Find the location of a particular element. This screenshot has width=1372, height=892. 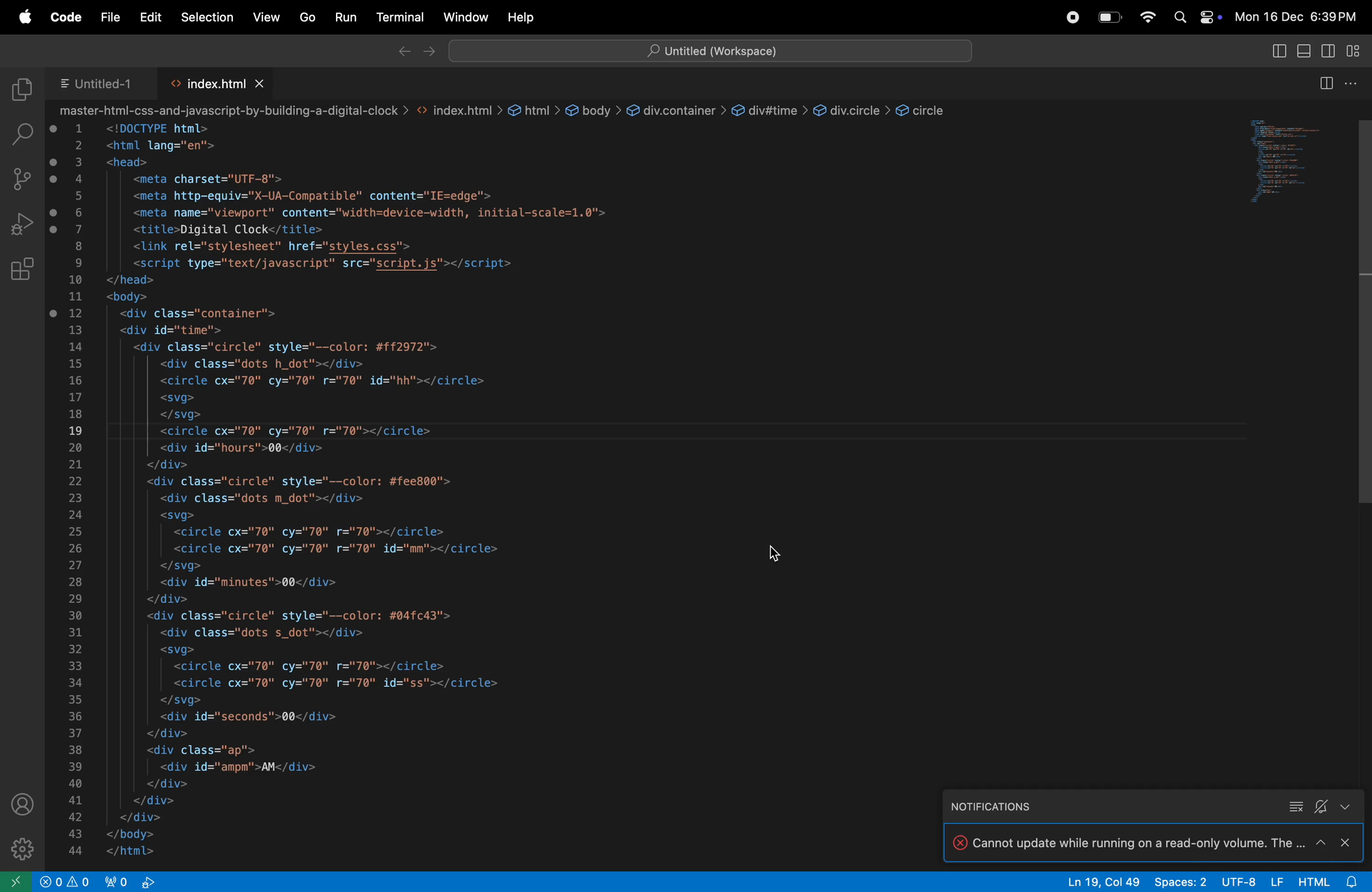

drop down is located at coordinates (1345, 807).